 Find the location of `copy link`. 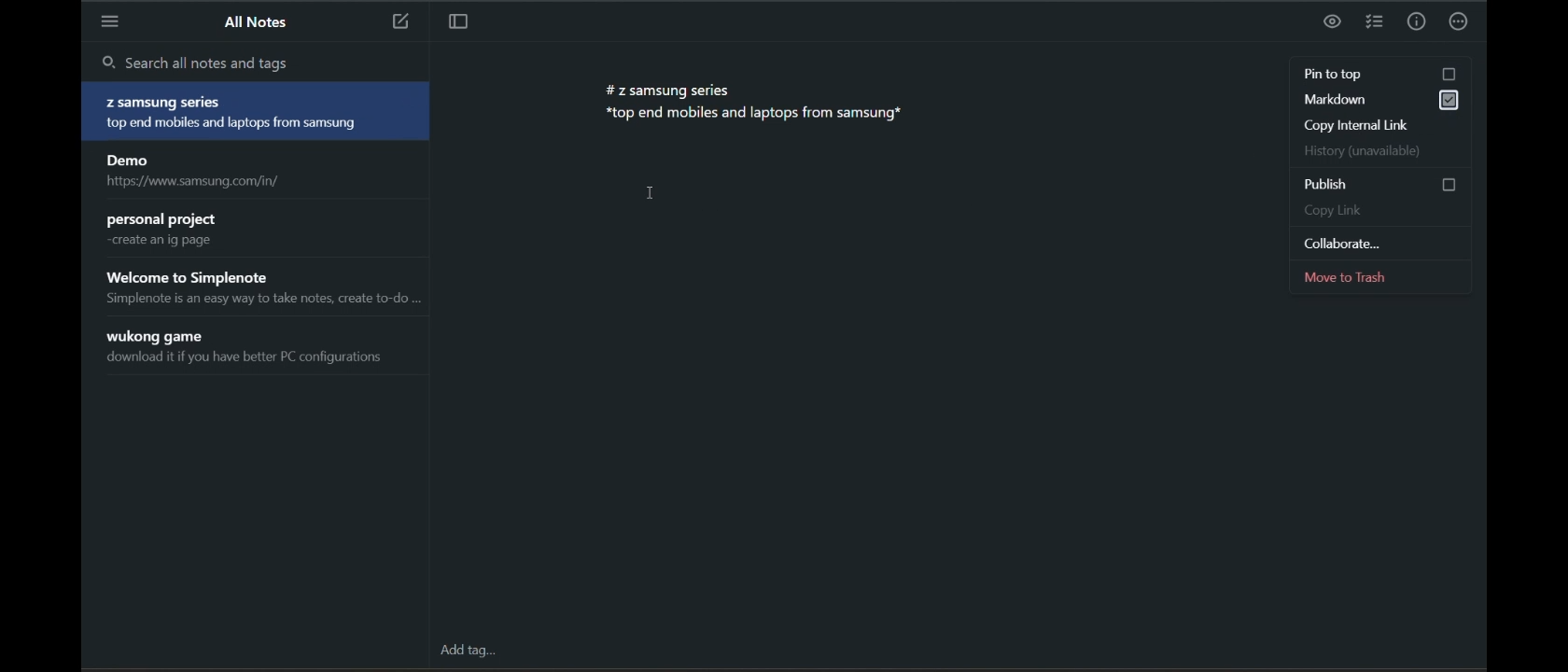

copy link is located at coordinates (1385, 213).